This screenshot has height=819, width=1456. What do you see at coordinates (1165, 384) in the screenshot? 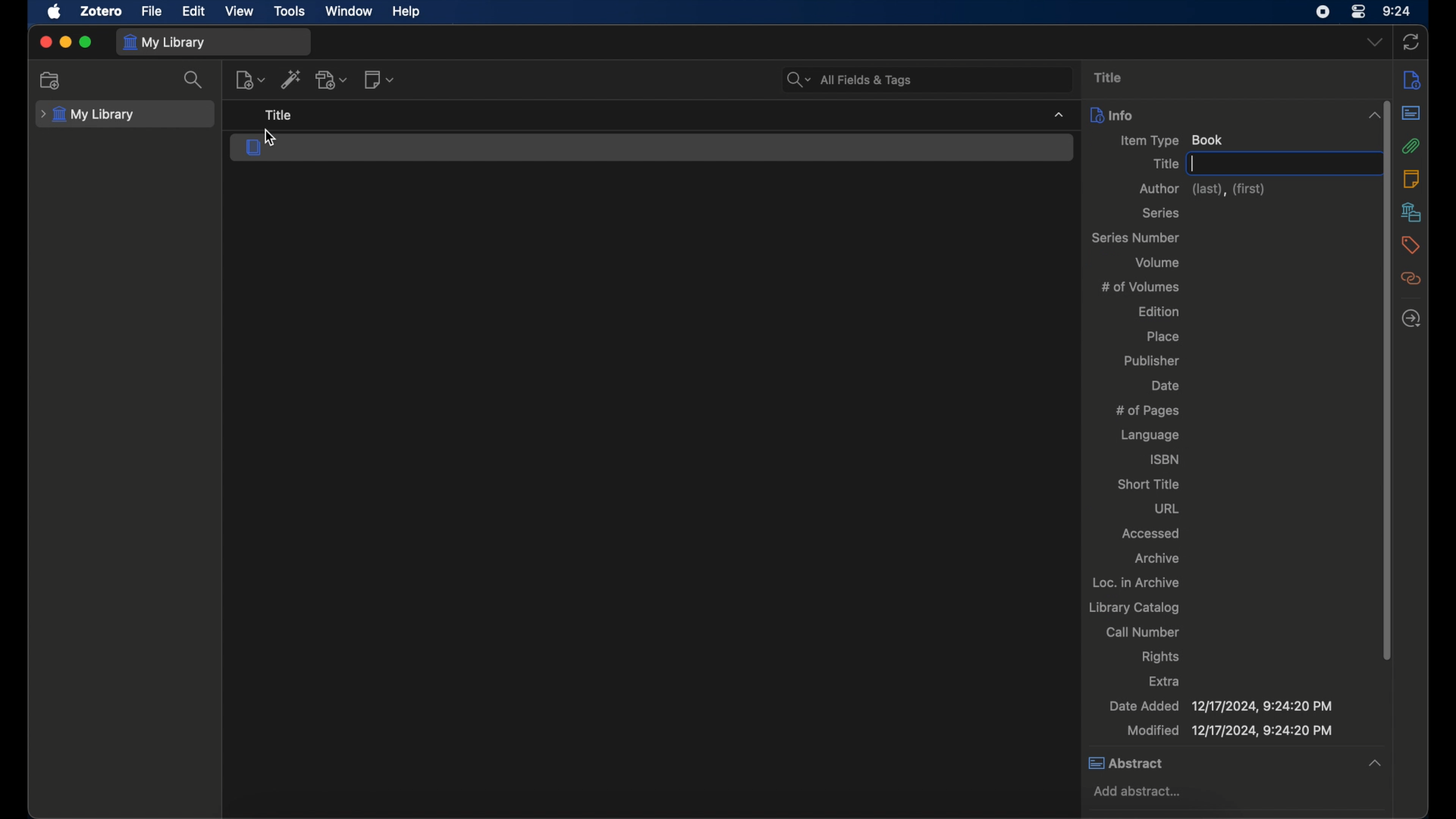
I see `date` at bounding box center [1165, 384].